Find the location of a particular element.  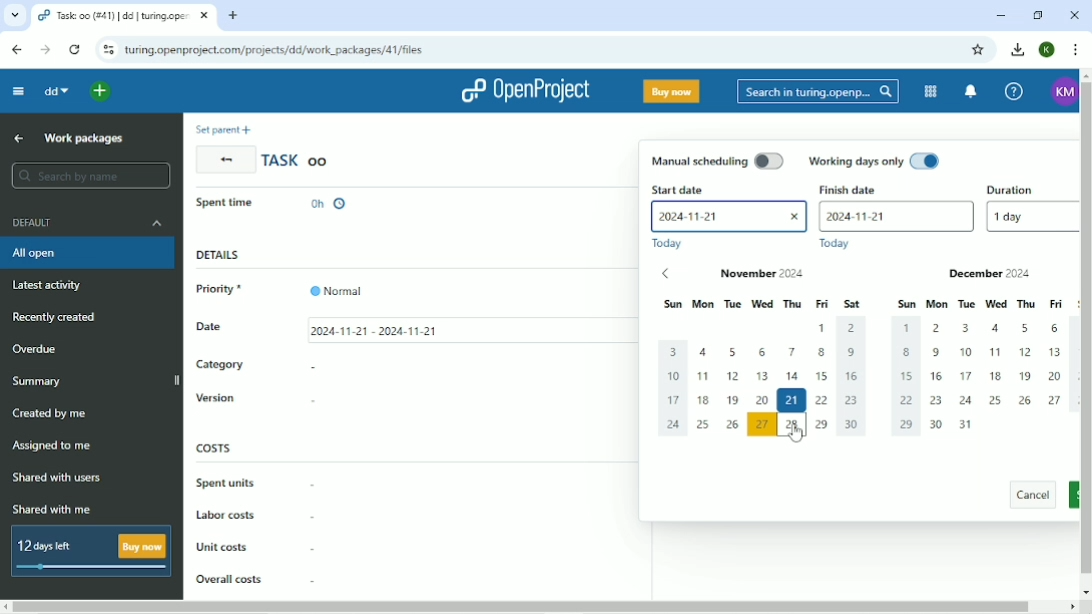

Manual scheduling is located at coordinates (718, 161).